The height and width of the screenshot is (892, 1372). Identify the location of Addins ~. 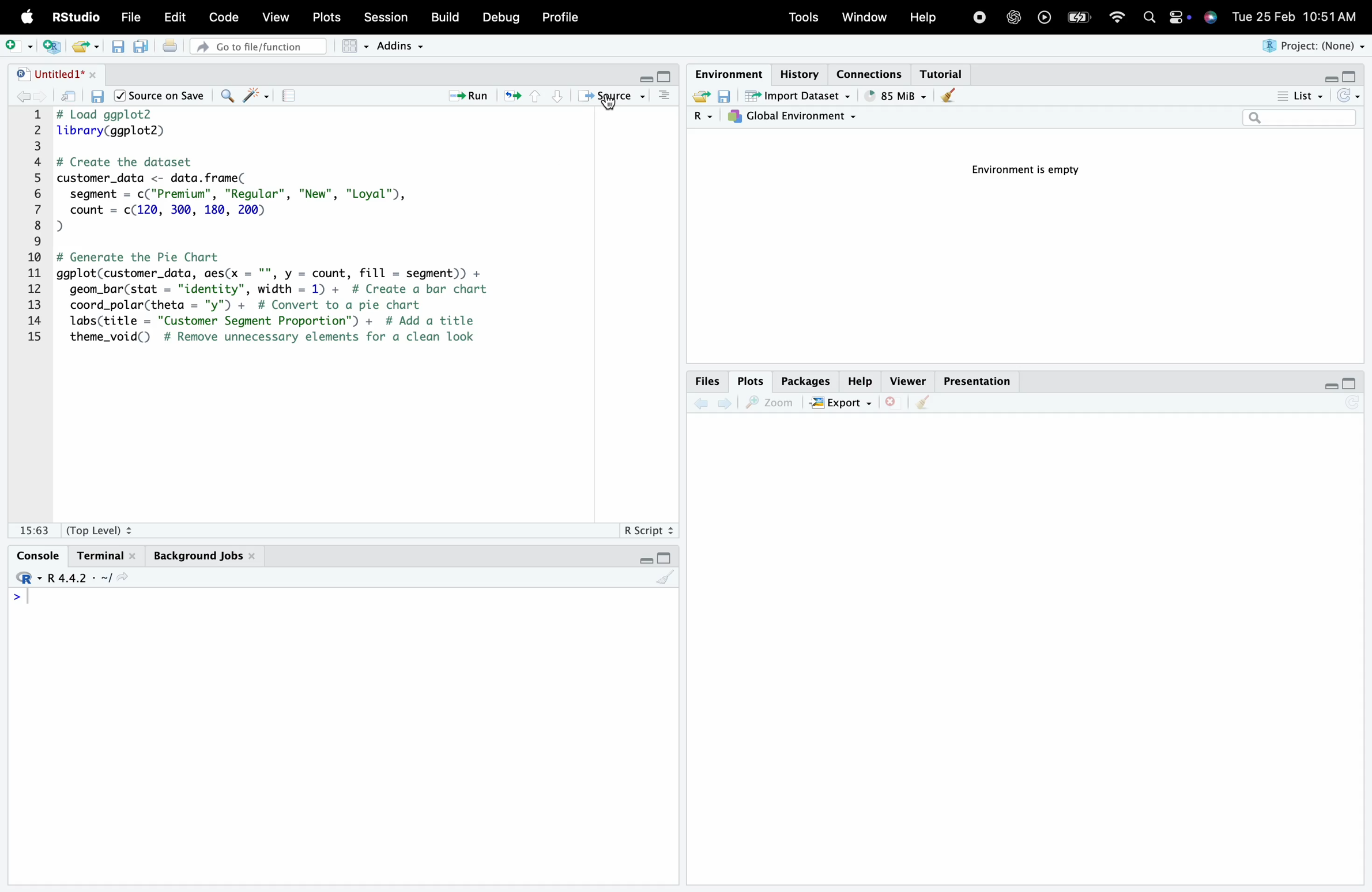
(404, 47).